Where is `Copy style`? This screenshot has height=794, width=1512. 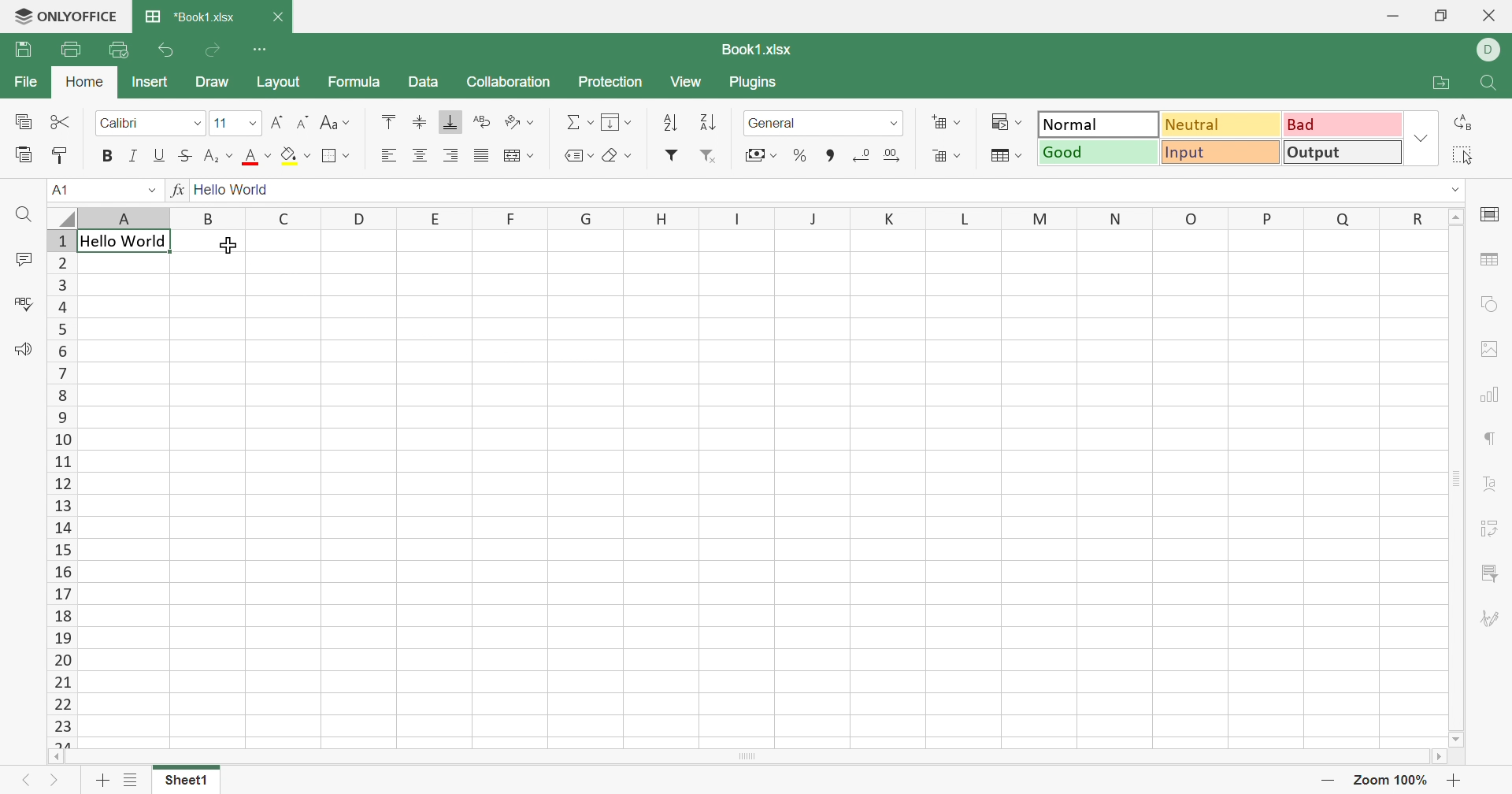
Copy style is located at coordinates (60, 153).